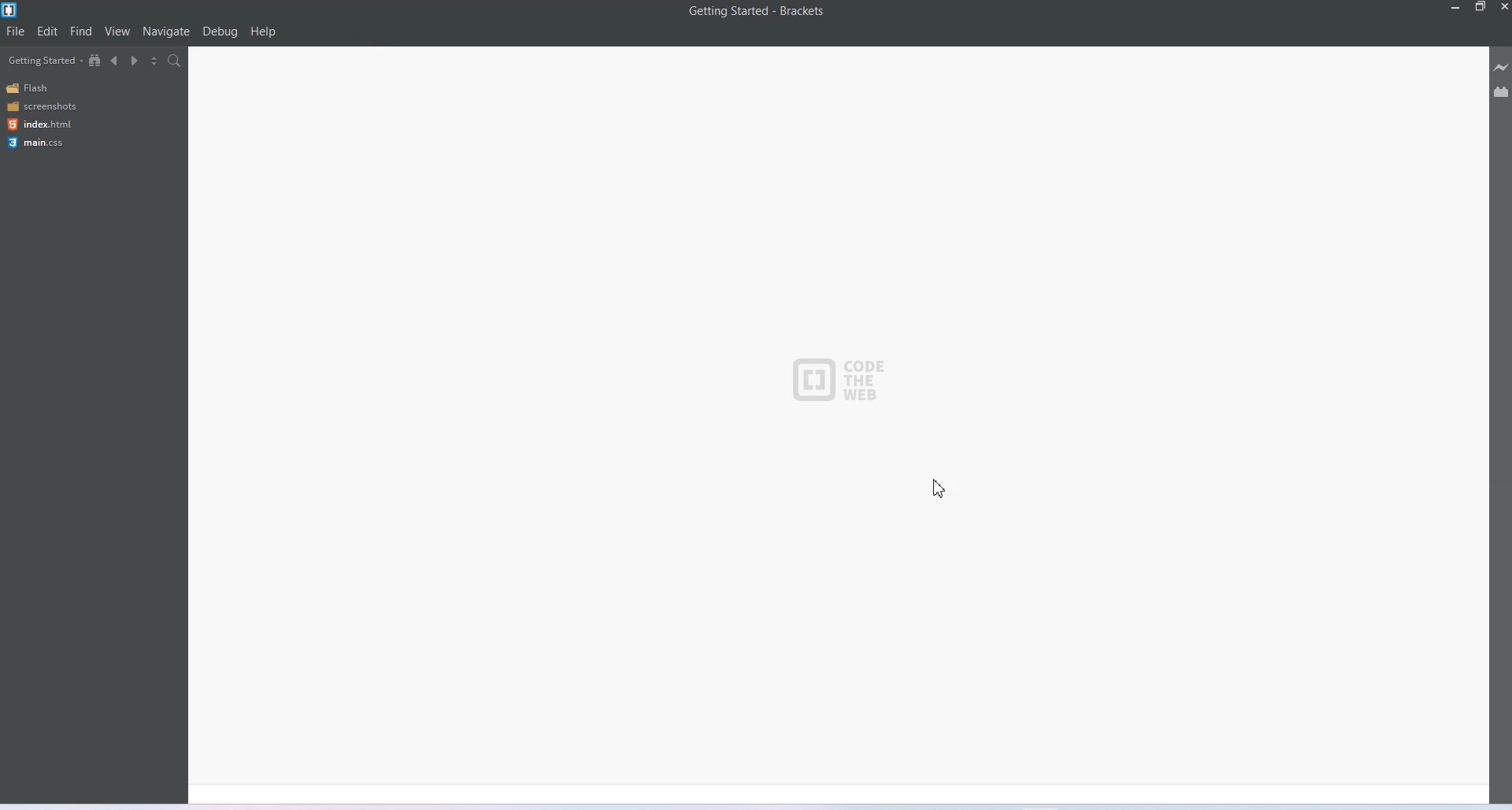  What do you see at coordinates (166, 32) in the screenshot?
I see `Navigate` at bounding box center [166, 32].